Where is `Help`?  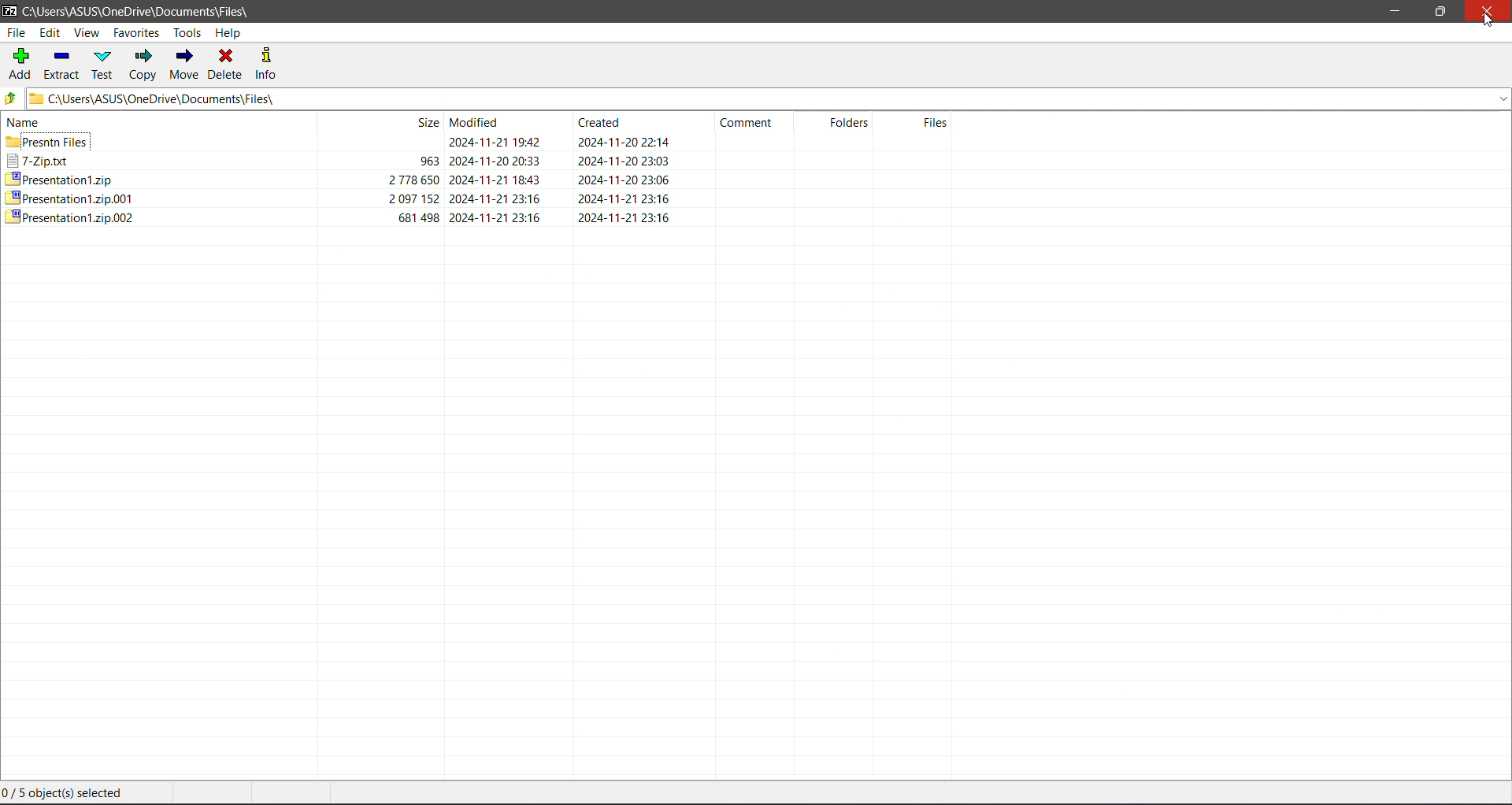
Help is located at coordinates (233, 35).